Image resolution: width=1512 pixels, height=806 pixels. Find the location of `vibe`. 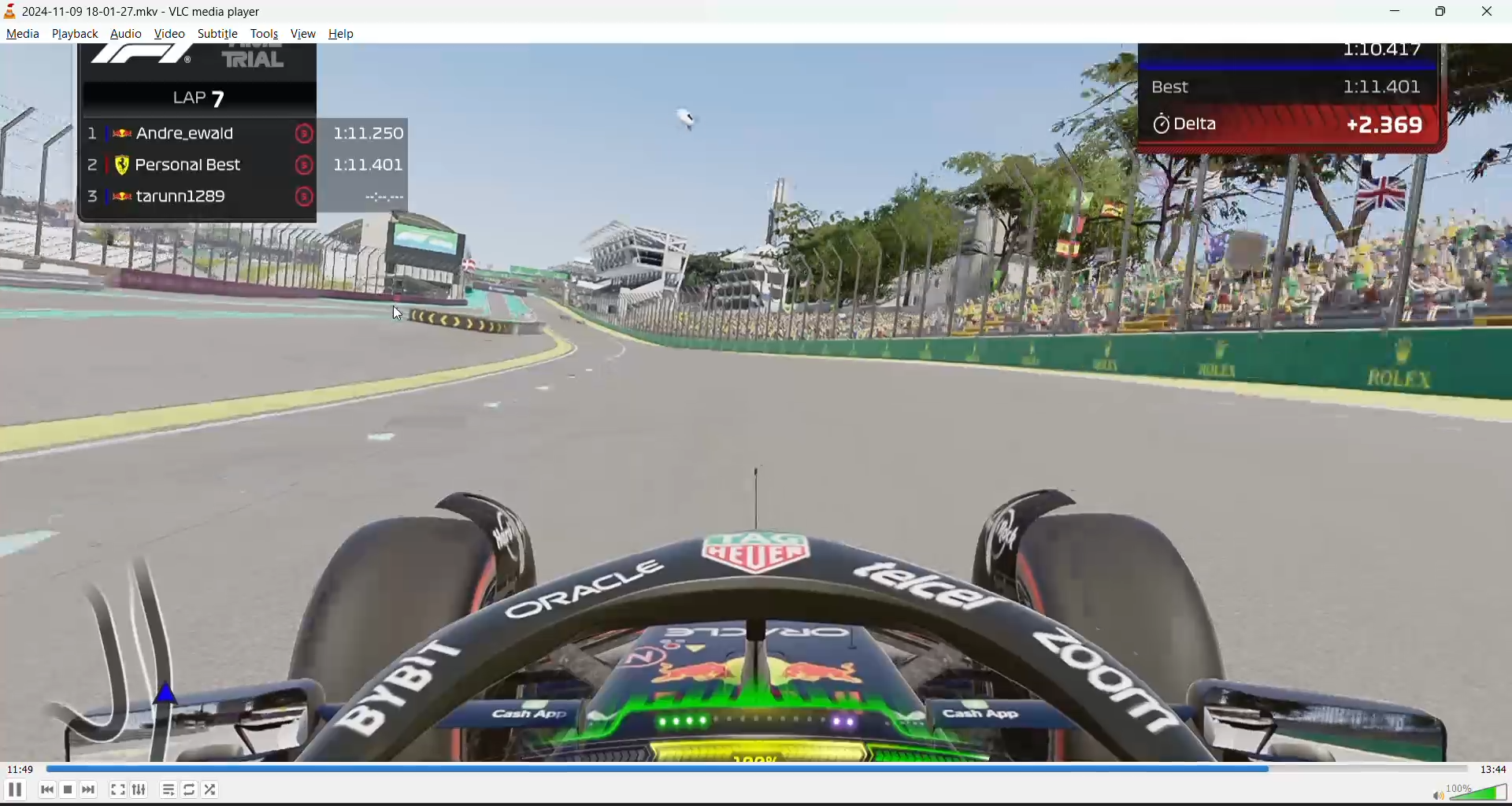

vibe is located at coordinates (302, 33).